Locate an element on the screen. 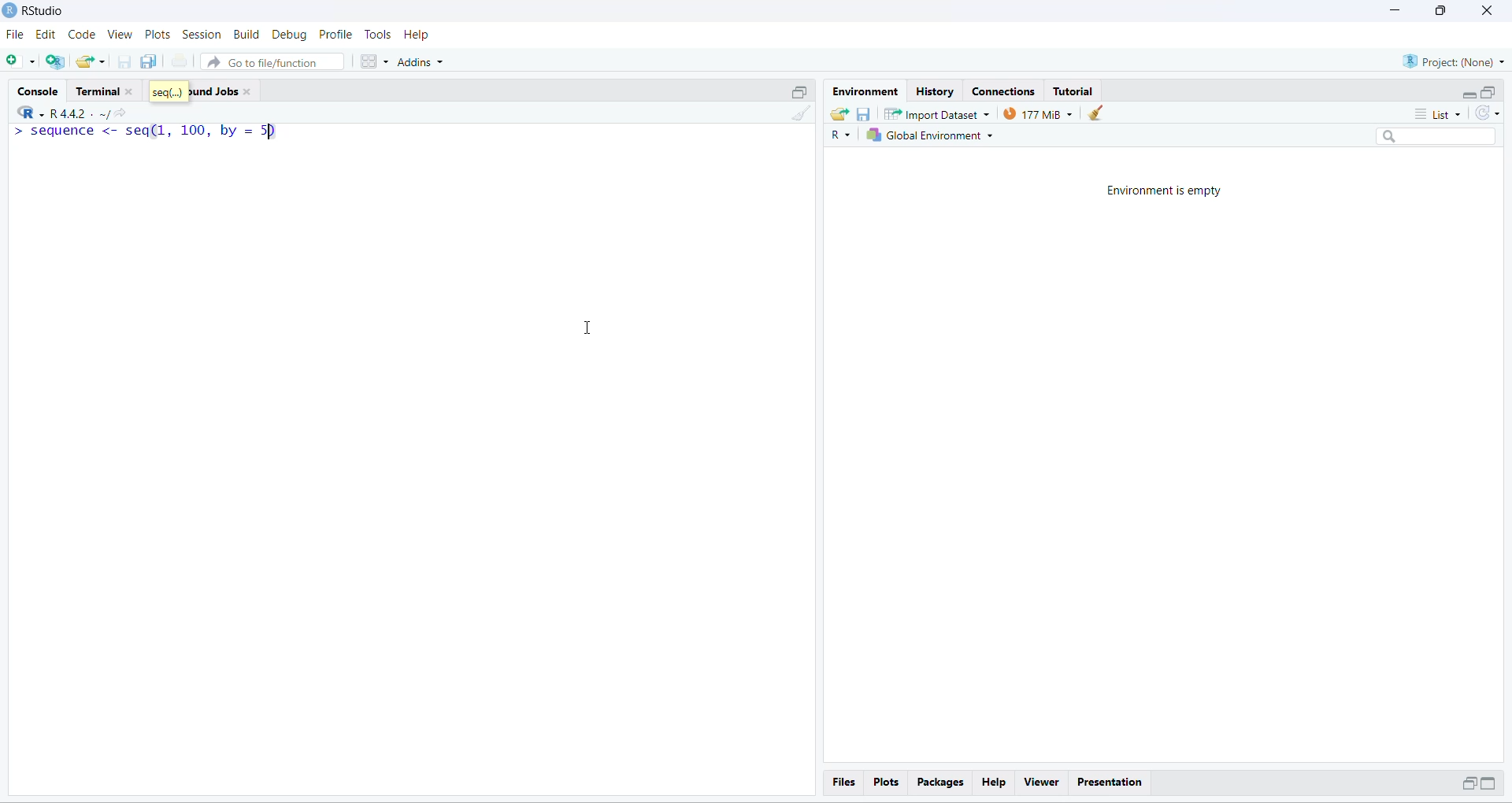 The image size is (1512, 803). add file as is located at coordinates (22, 61).